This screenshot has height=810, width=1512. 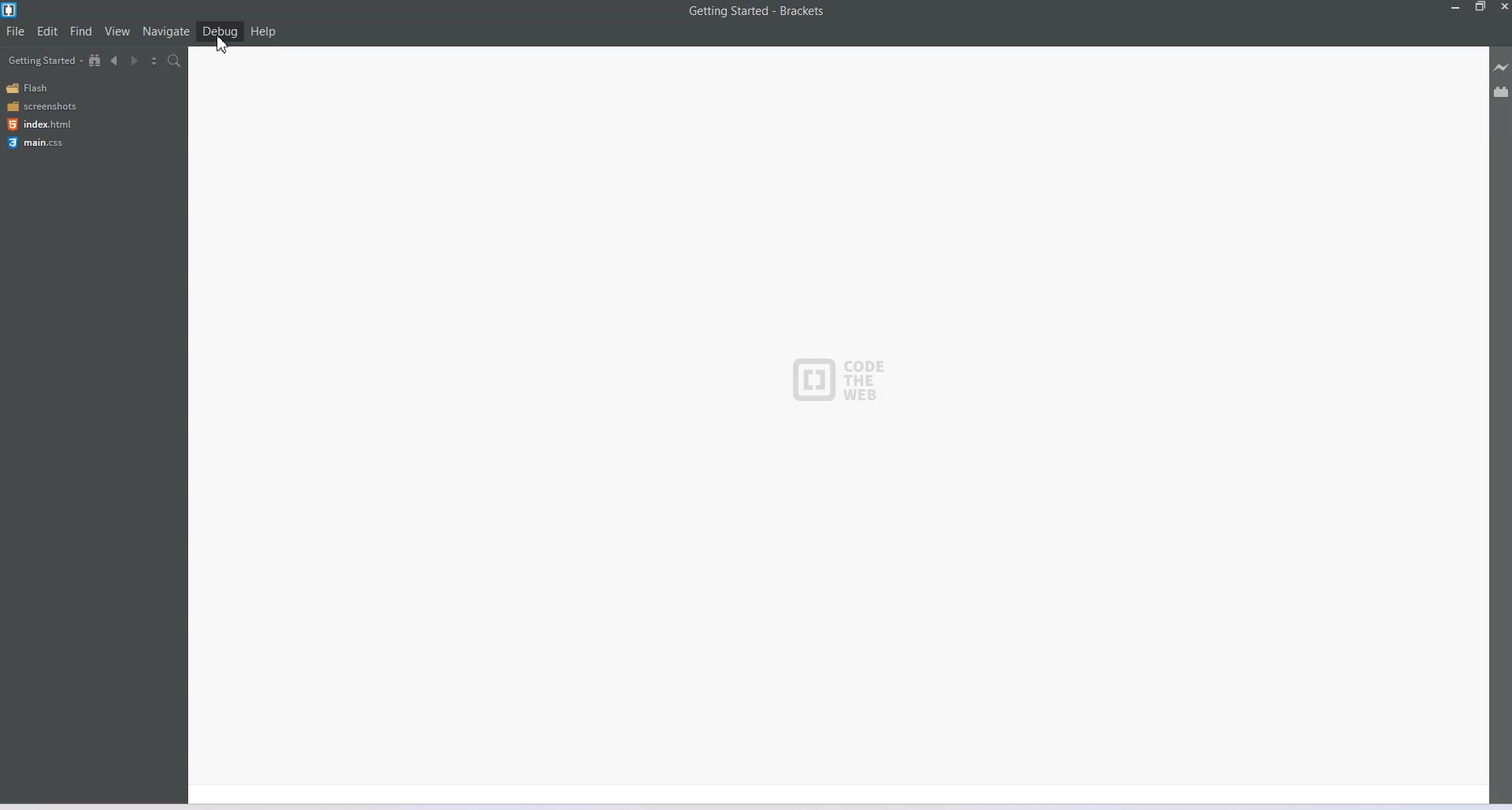 I want to click on Debug, so click(x=220, y=31).